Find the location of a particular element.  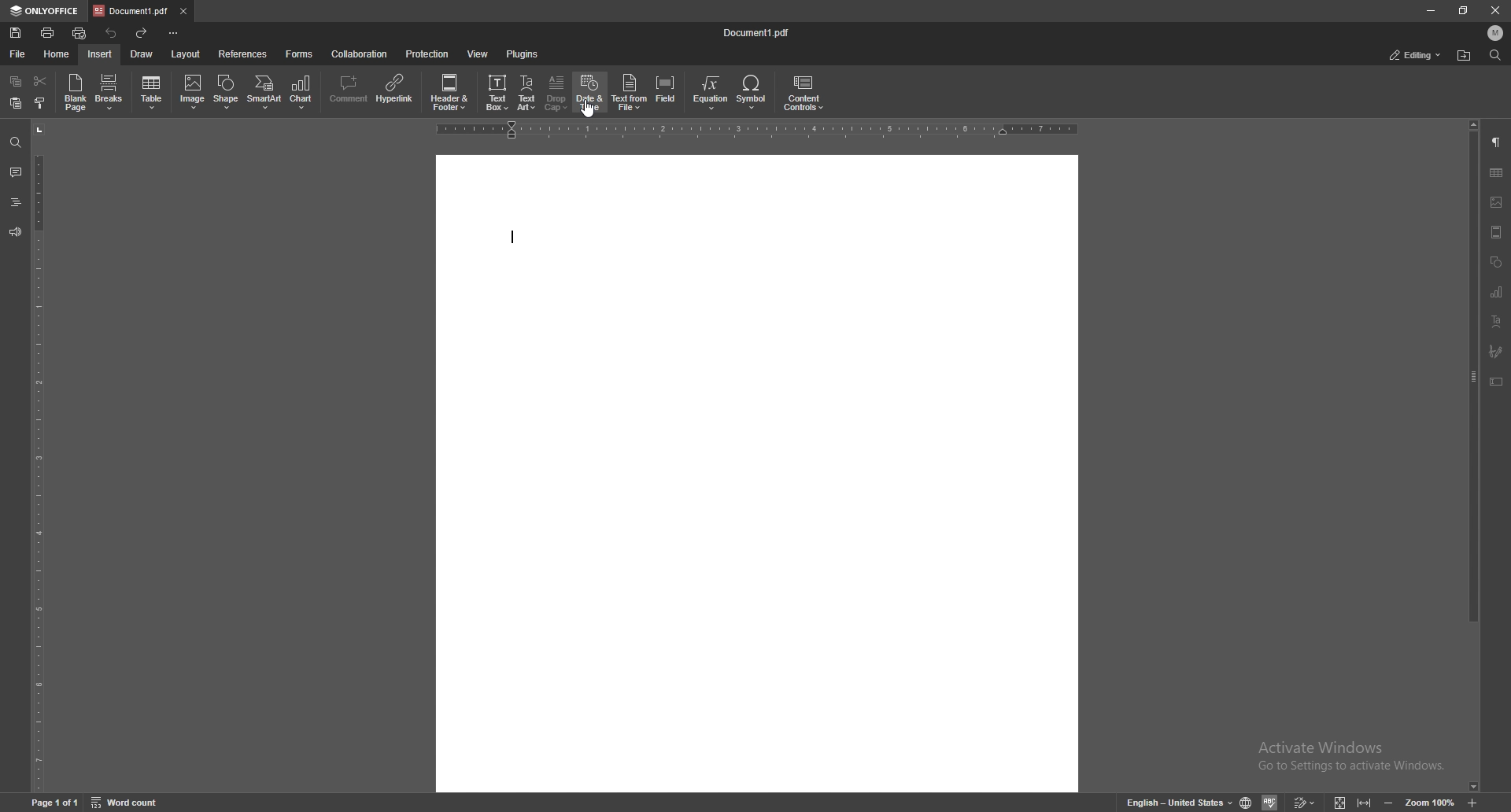

image is located at coordinates (190, 92).